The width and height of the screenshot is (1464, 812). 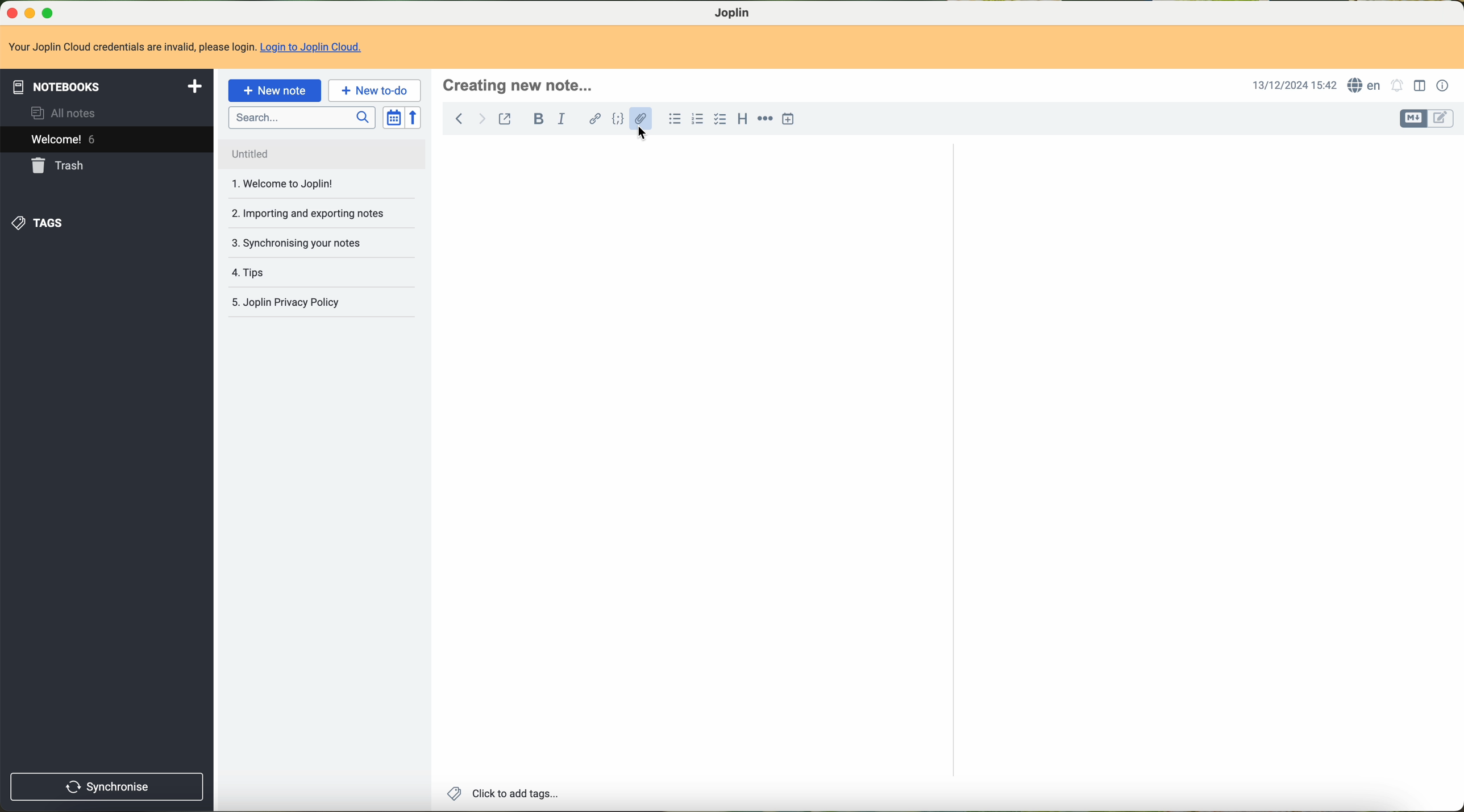 What do you see at coordinates (459, 118) in the screenshot?
I see `navigate back note` at bounding box center [459, 118].